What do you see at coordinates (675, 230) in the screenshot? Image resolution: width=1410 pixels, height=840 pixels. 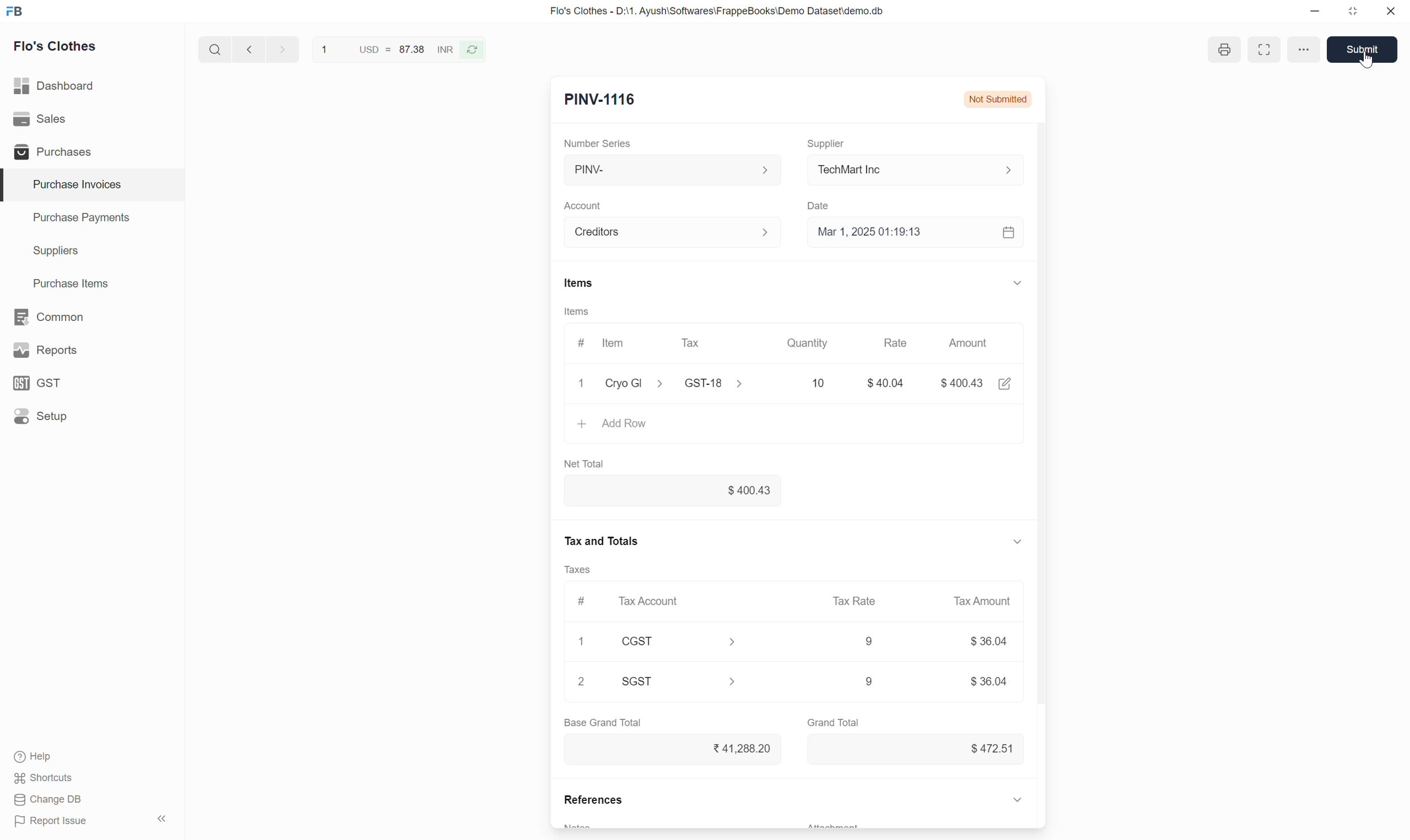 I see `Account ` at bounding box center [675, 230].